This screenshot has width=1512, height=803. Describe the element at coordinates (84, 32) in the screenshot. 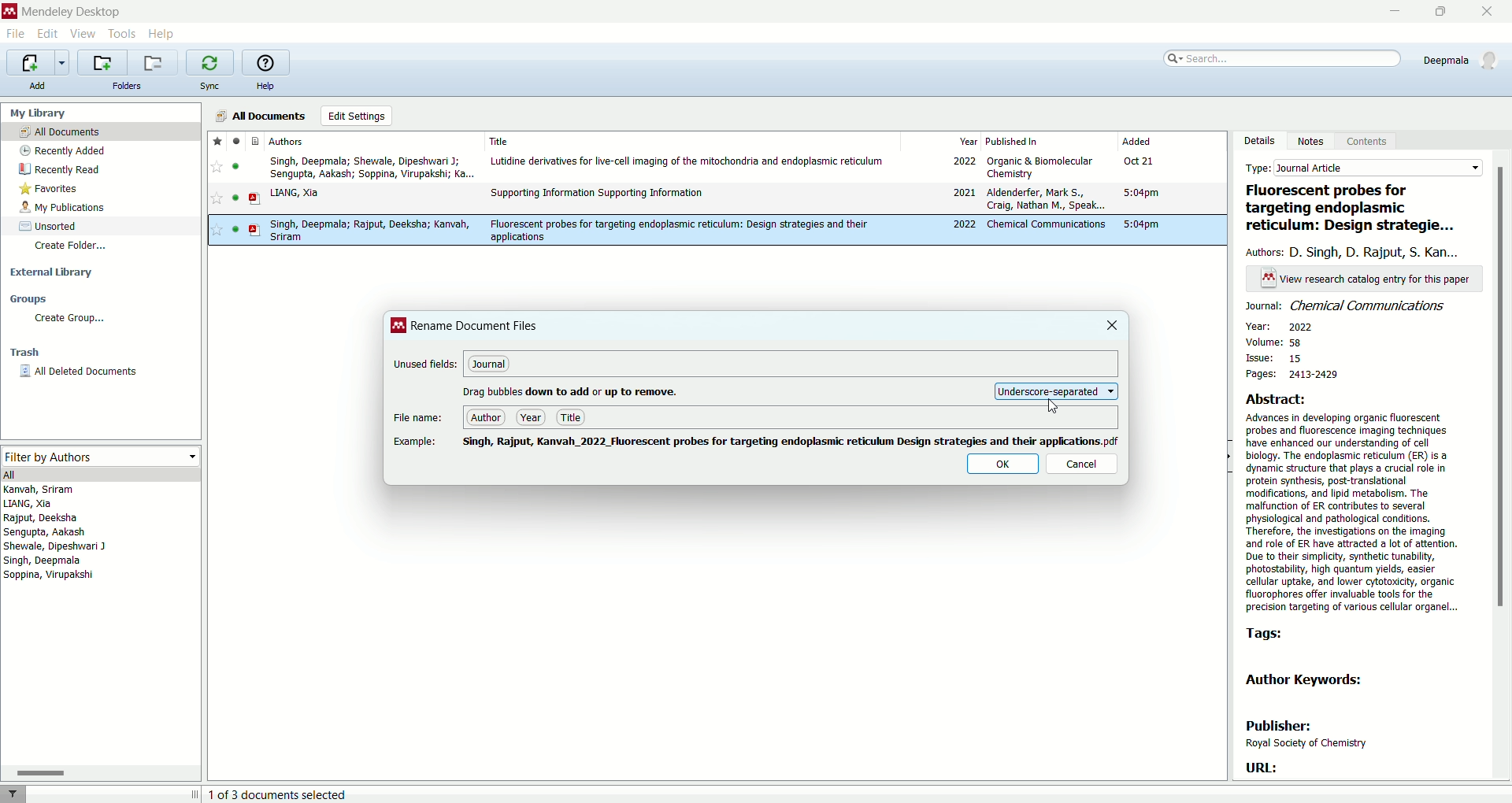

I see `view` at that location.